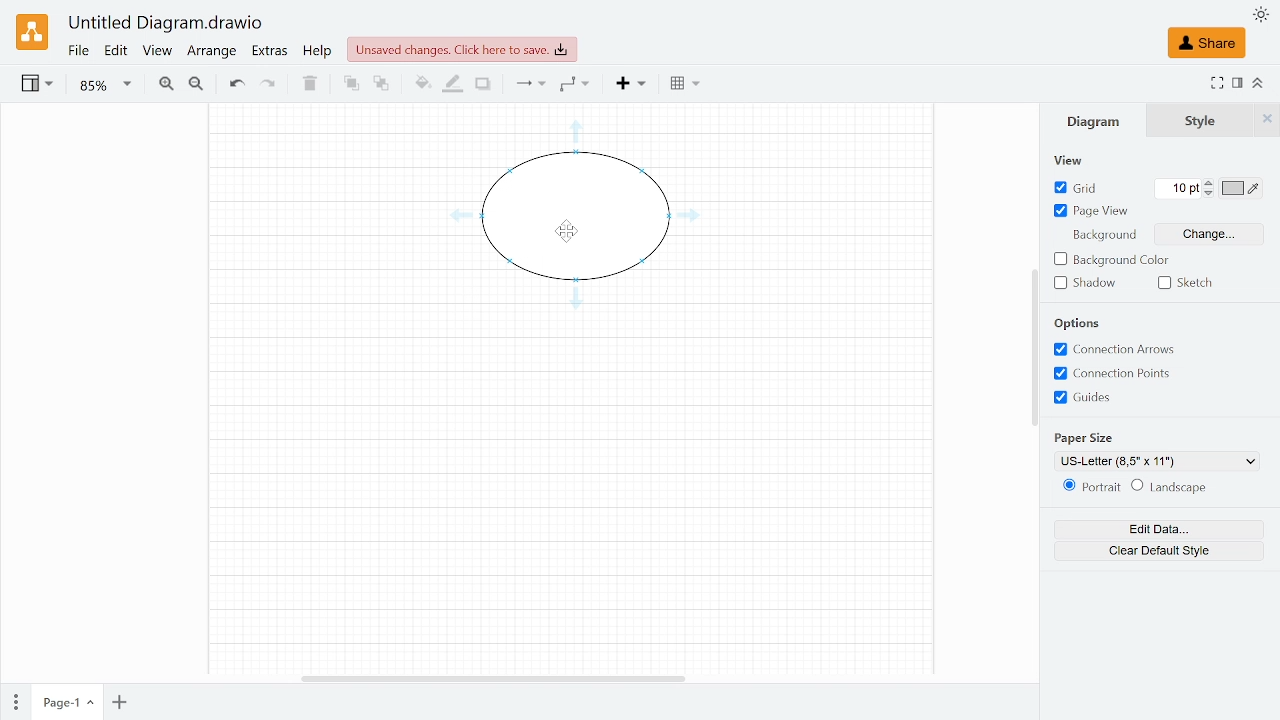  Describe the element at coordinates (568, 231) in the screenshot. I see `cursor` at that location.